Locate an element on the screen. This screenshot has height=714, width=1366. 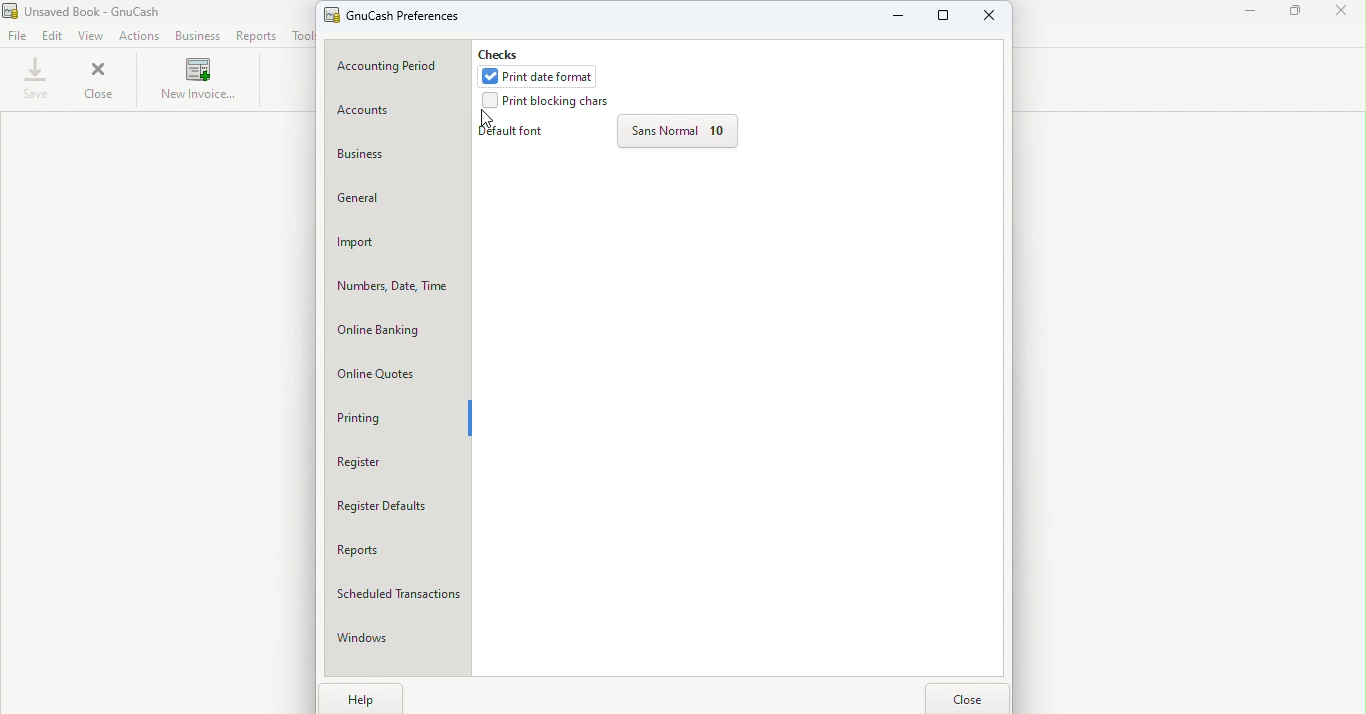
Close is located at coordinates (972, 696).